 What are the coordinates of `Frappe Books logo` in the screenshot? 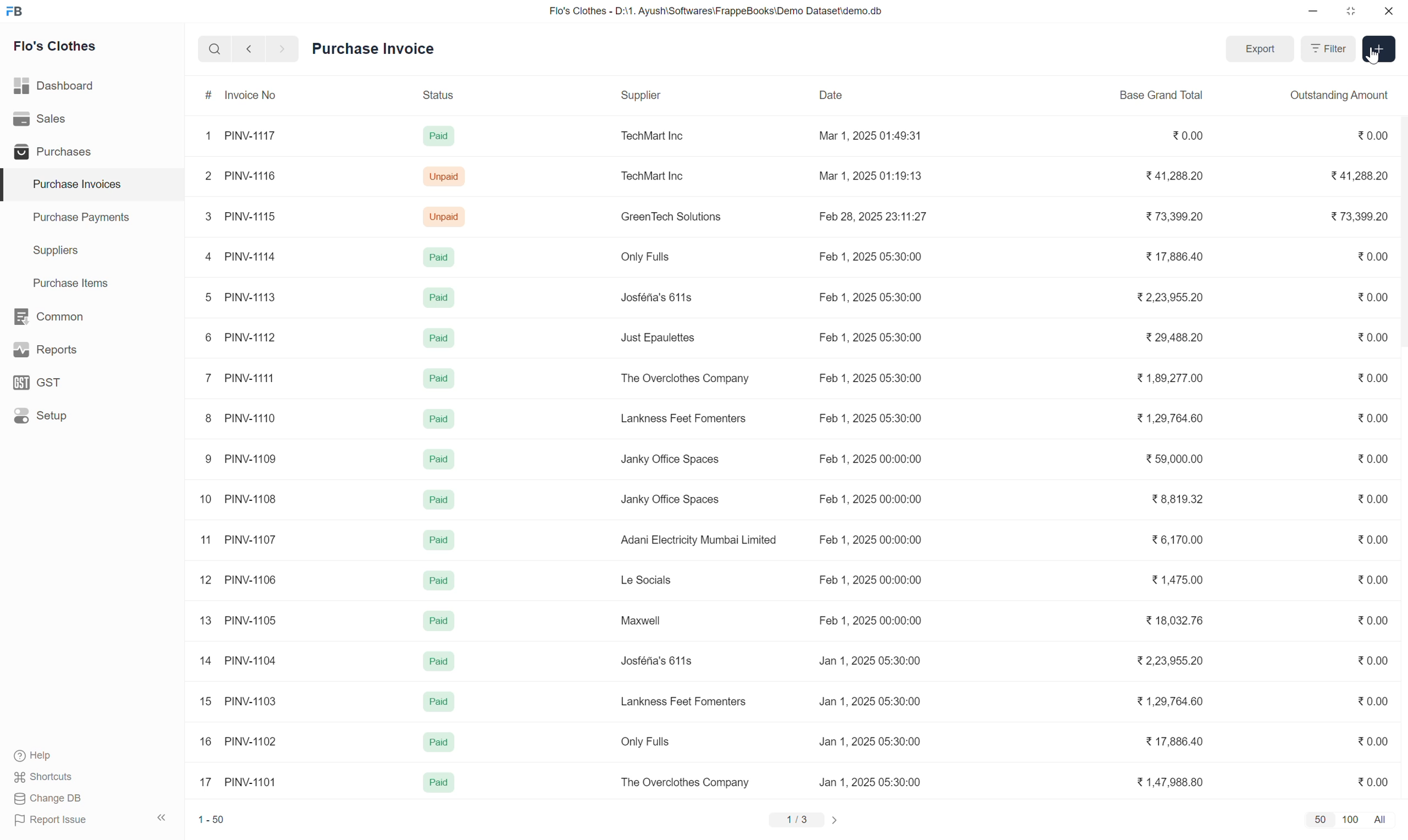 It's located at (14, 11).